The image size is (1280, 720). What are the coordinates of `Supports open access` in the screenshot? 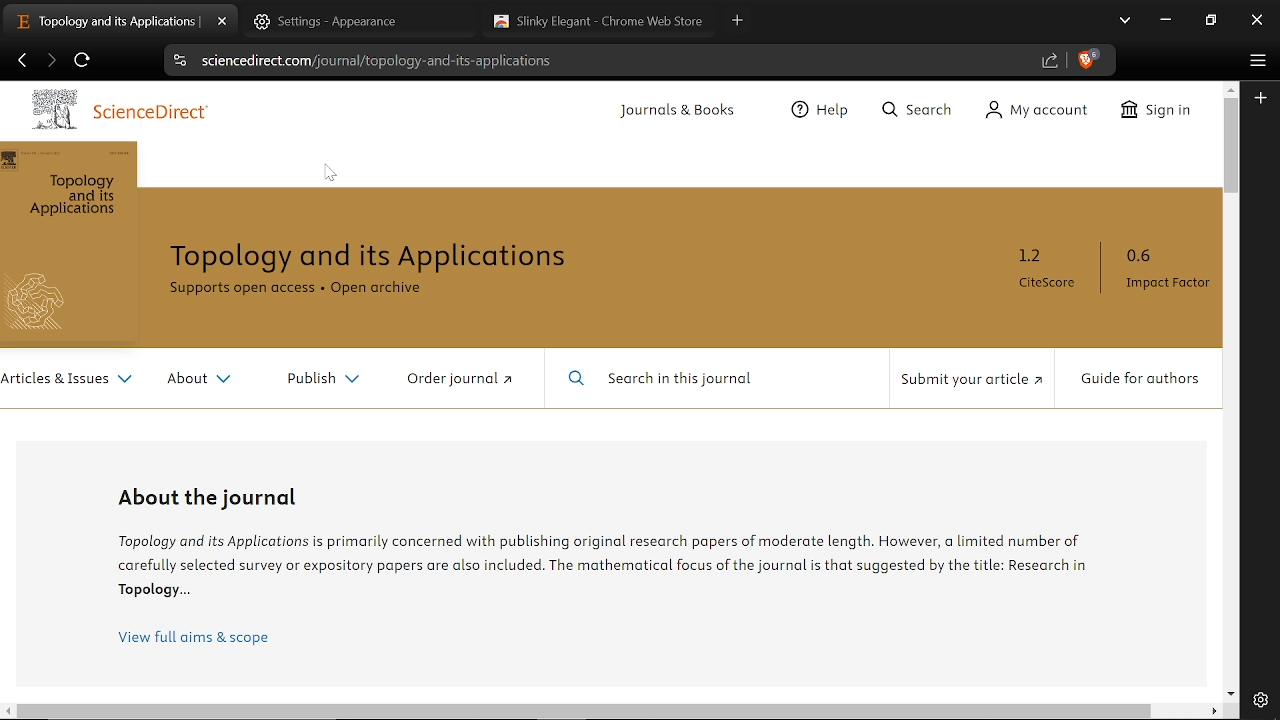 It's located at (237, 289).